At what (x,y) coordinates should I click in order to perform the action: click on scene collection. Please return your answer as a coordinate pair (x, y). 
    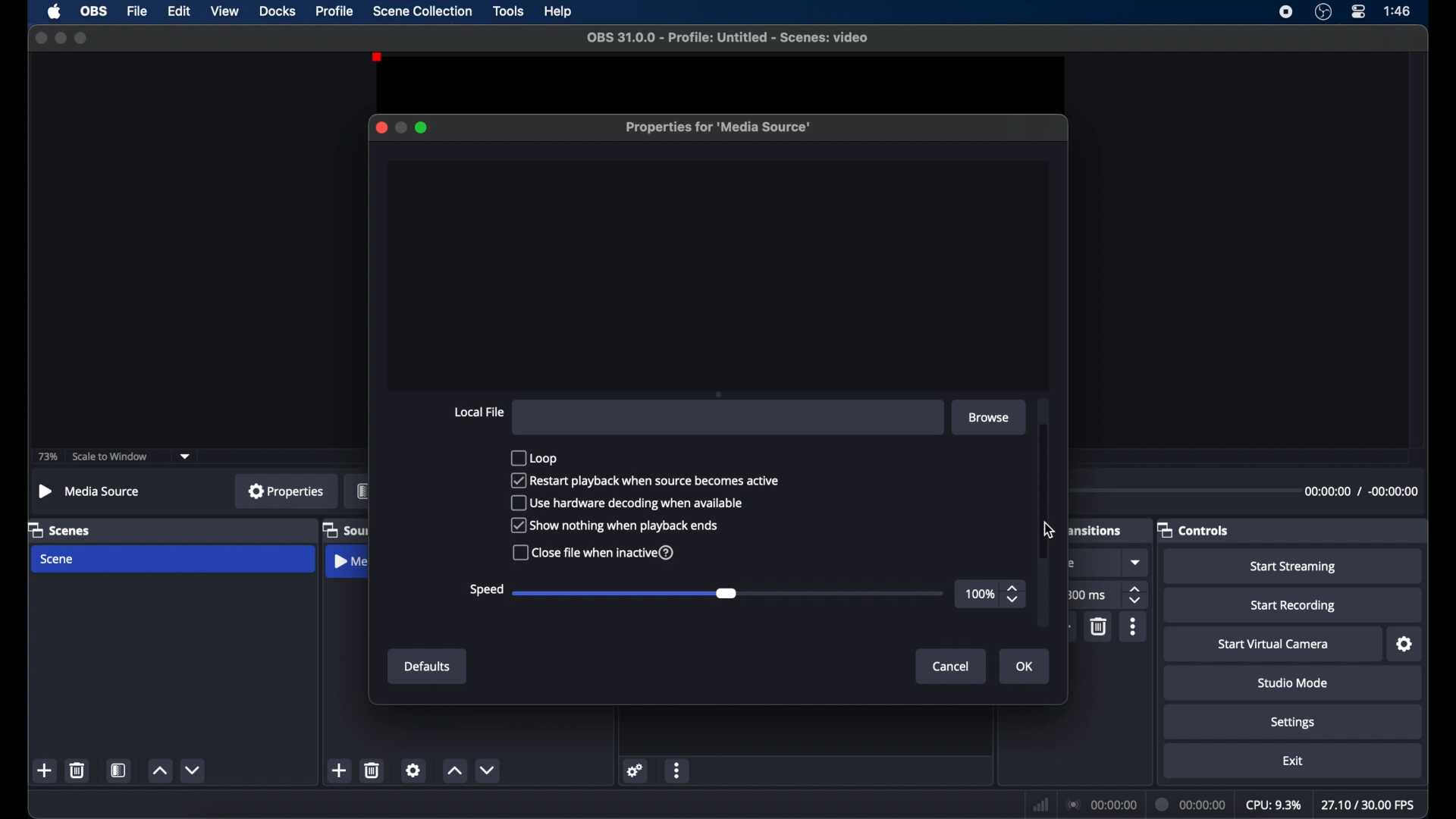
    Looking at the image, I should click on (424, 11).